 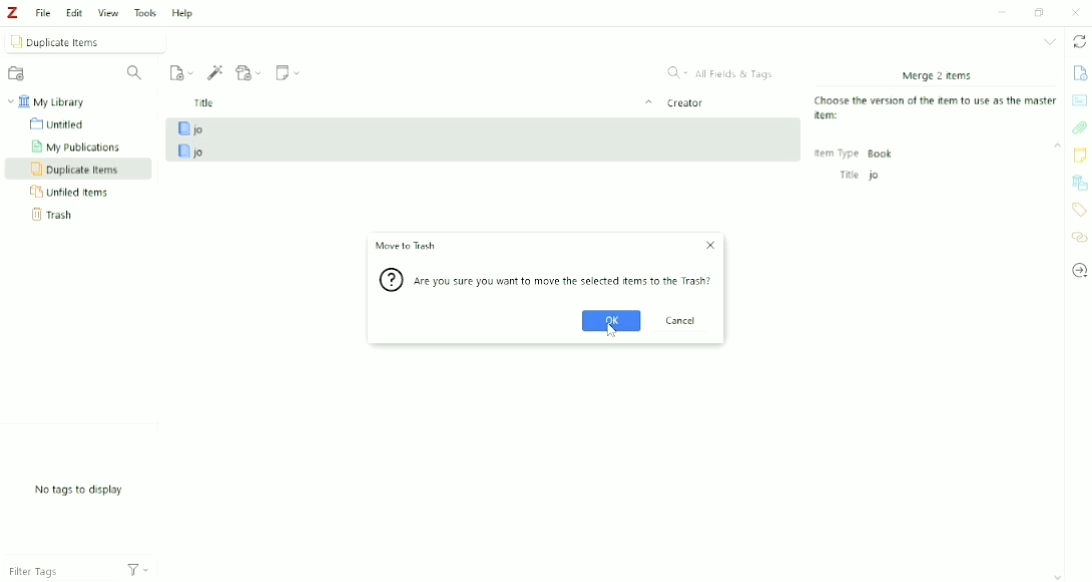 I want to click on Item Type Book, so click(x=855, y=153).